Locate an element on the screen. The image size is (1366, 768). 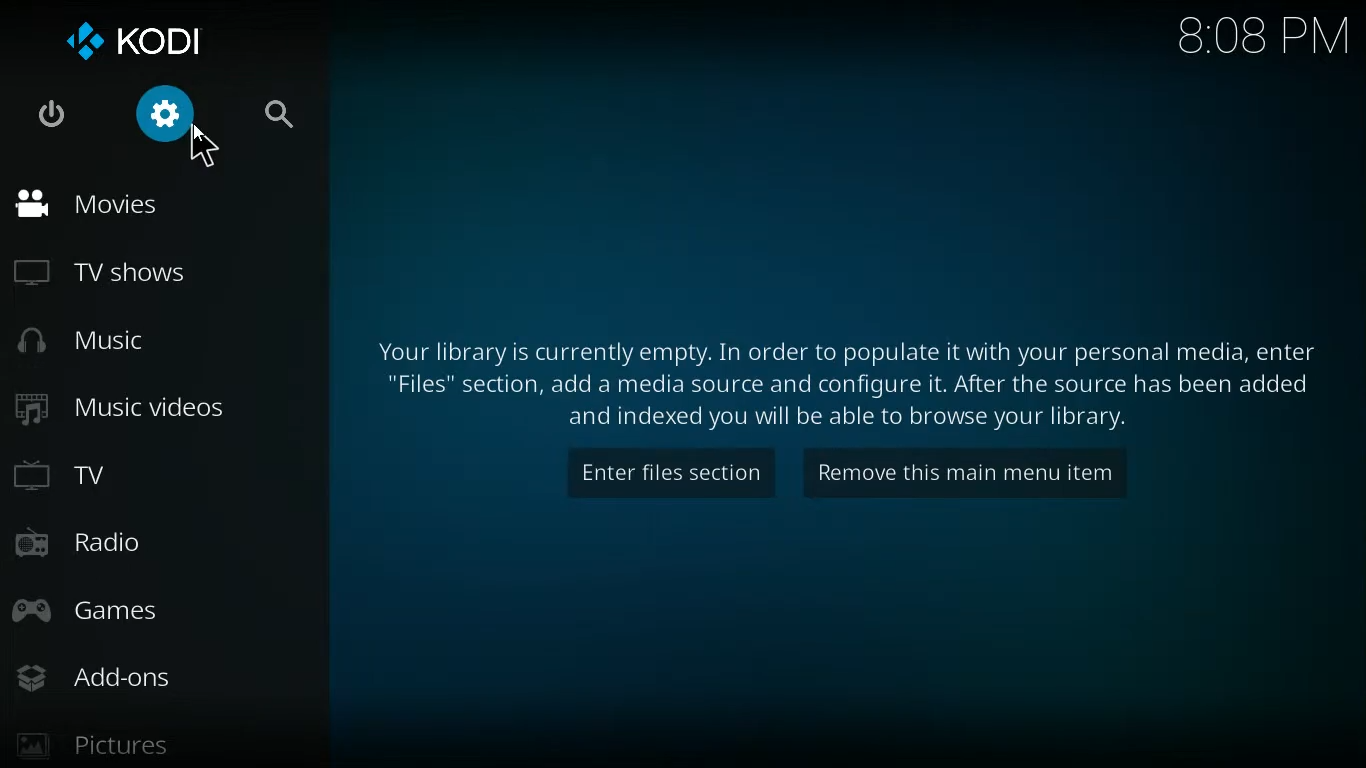
time is located at coordinates (1252, 35).